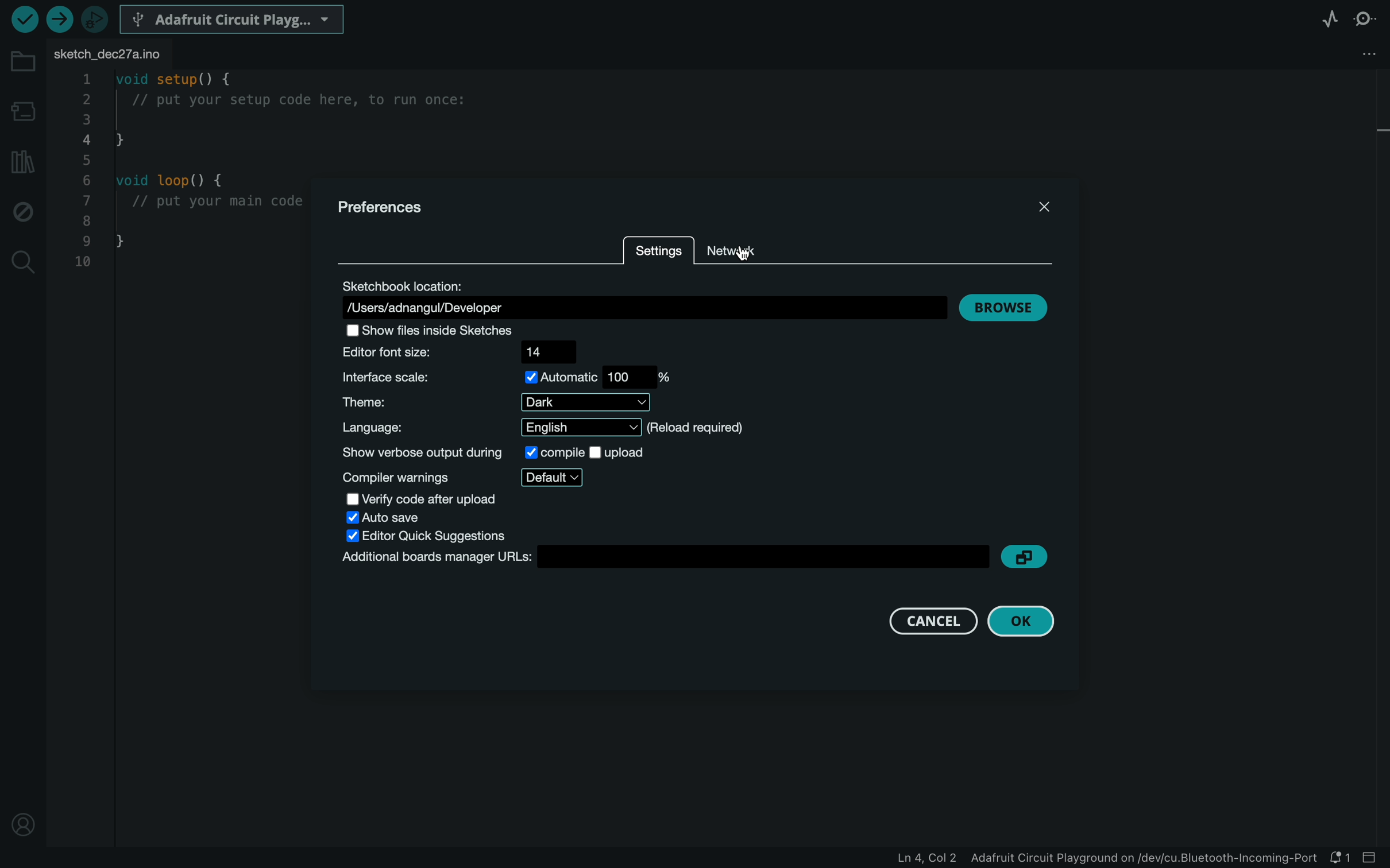  I want to click on location, so click(637, 297).